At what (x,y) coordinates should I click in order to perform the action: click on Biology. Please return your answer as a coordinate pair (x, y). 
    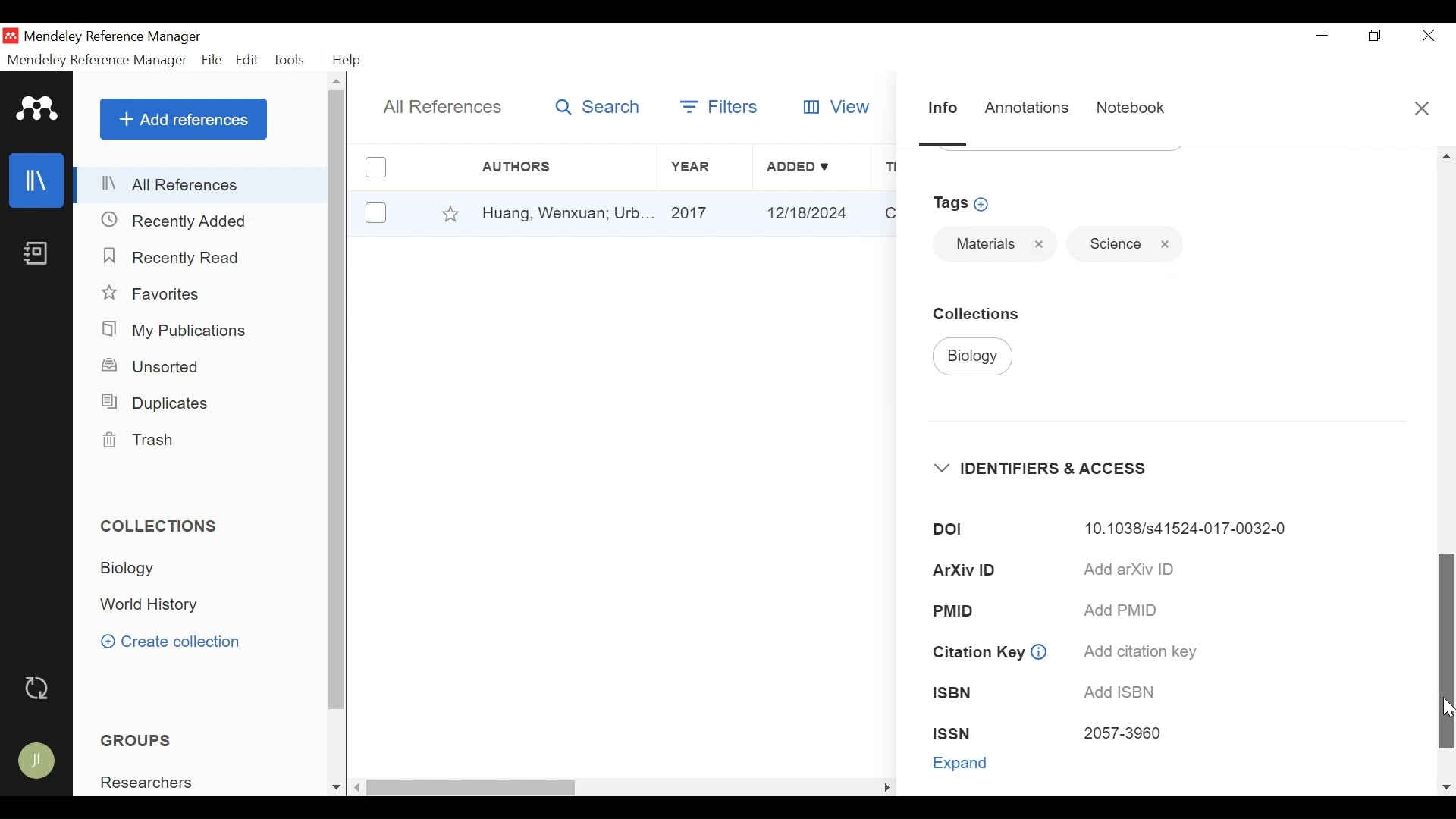
    Looking at the image, I should click on (973, 357).